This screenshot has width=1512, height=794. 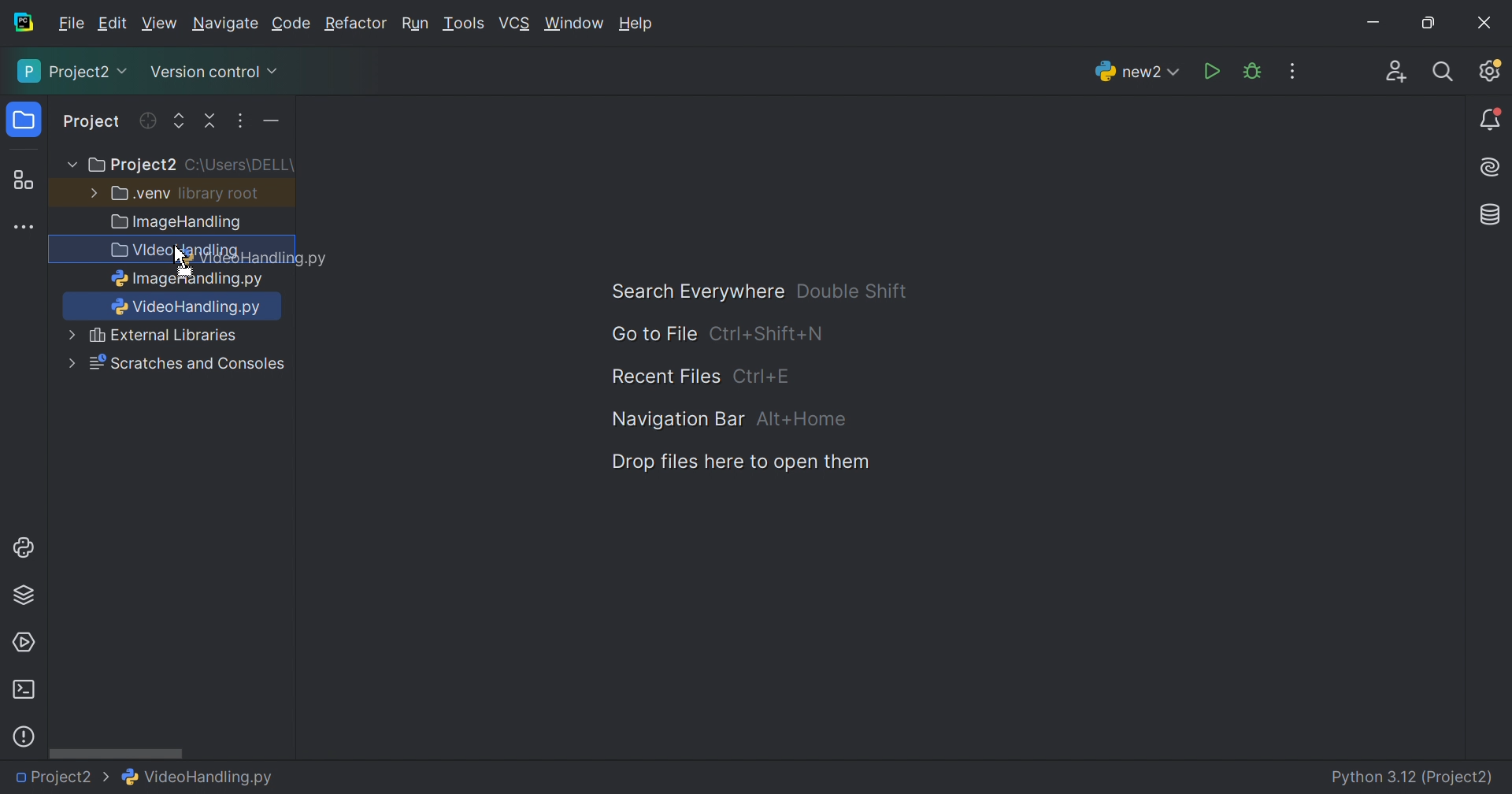 I want to click on Notifications, so click(x=1492, y=121).